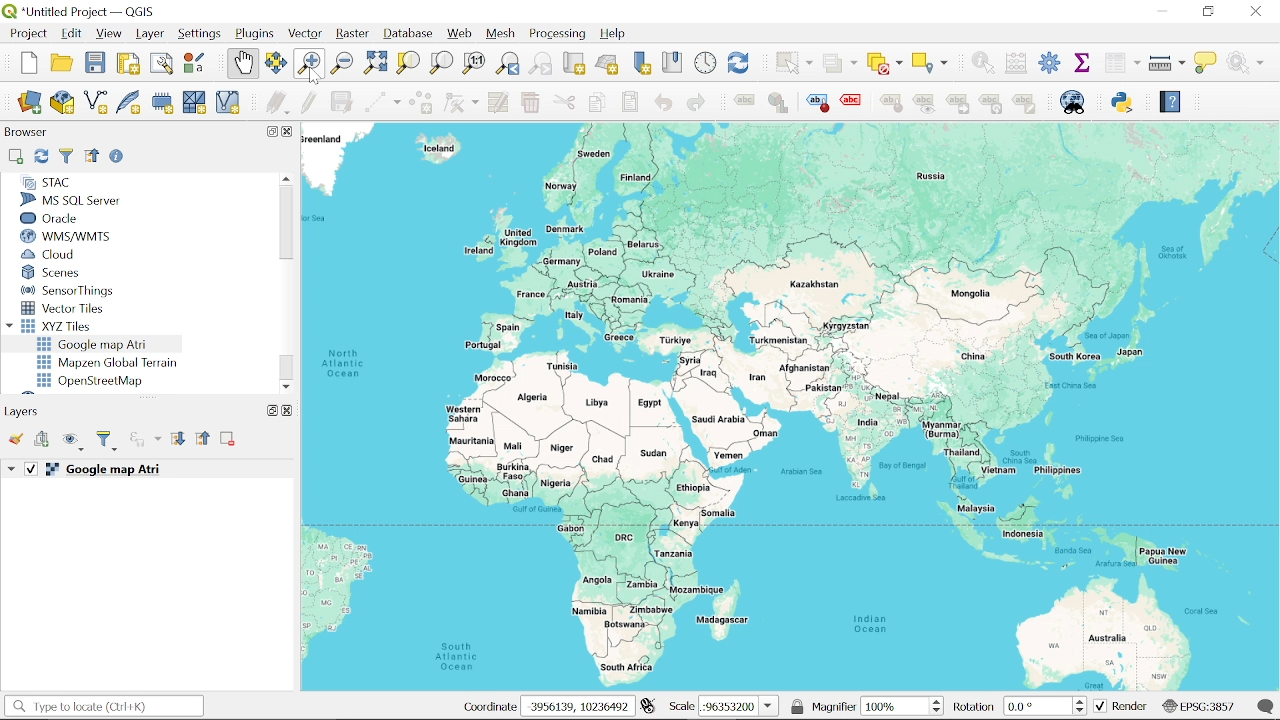 This screenshot has width=1280, height=720. I want to click on Show special bookmark, so click(673, 62).